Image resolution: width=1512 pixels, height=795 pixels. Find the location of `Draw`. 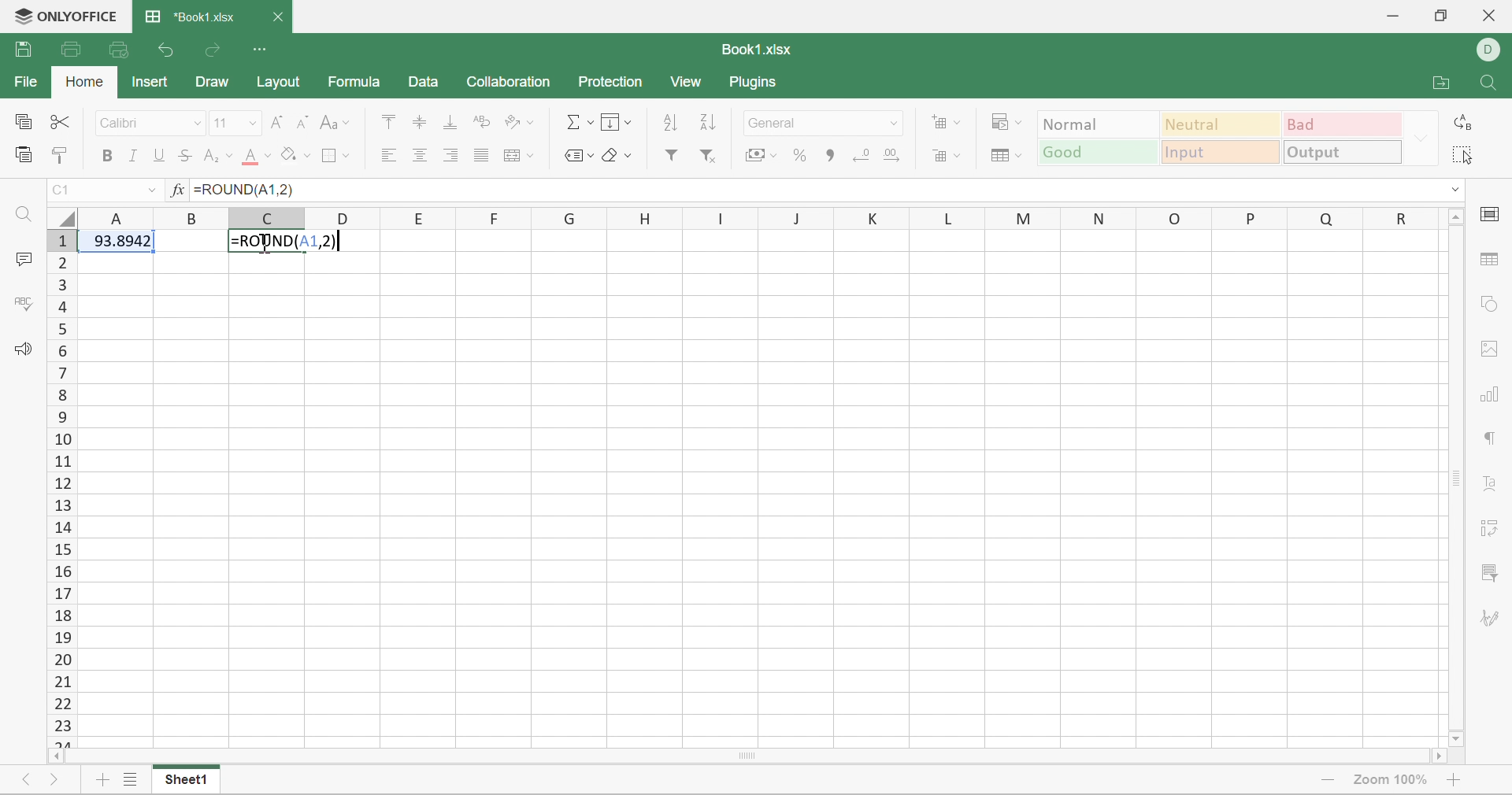

Draw is located at coordinates (211, 80).